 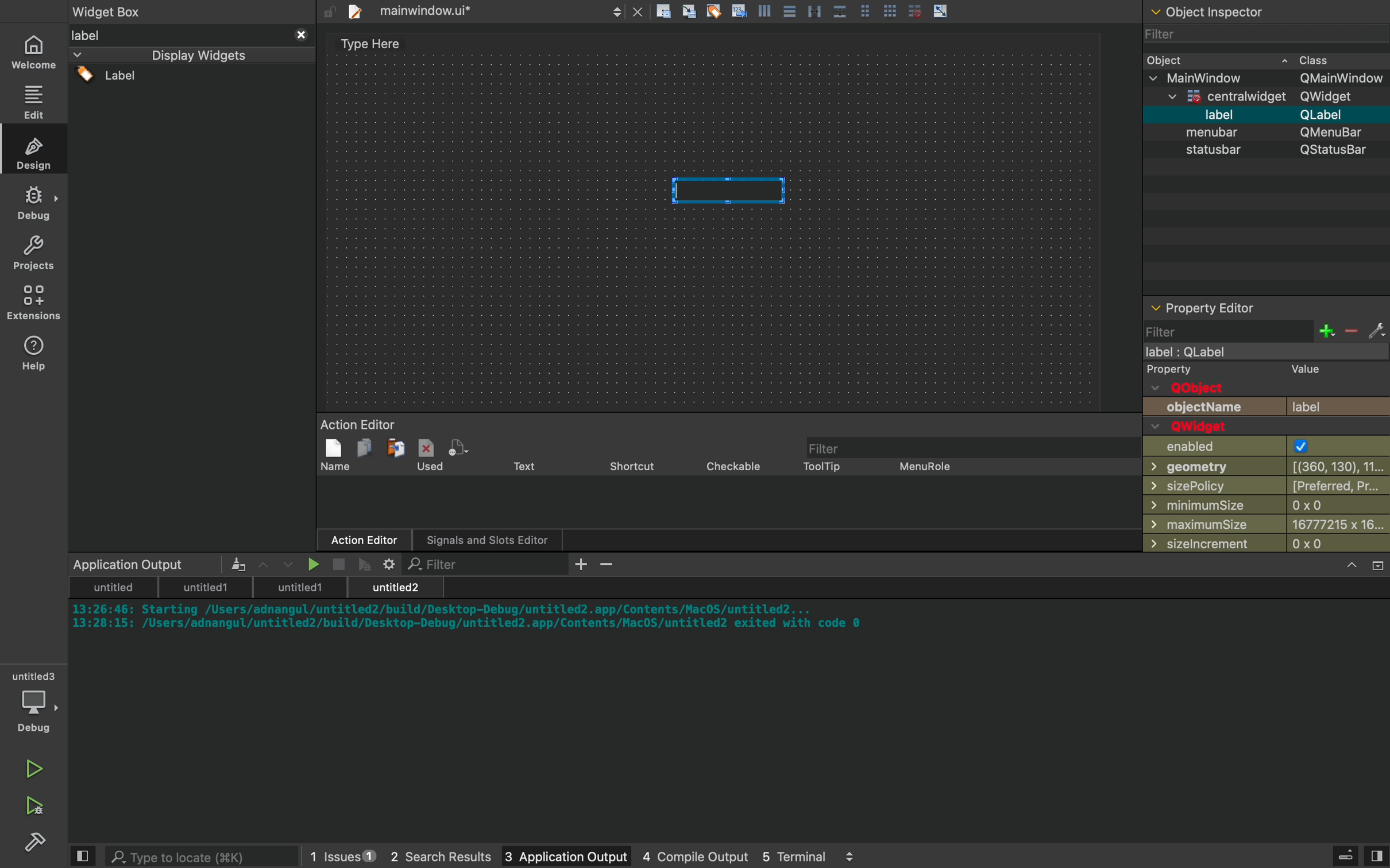 I want to click on widget box, so click(x=125, y=10).